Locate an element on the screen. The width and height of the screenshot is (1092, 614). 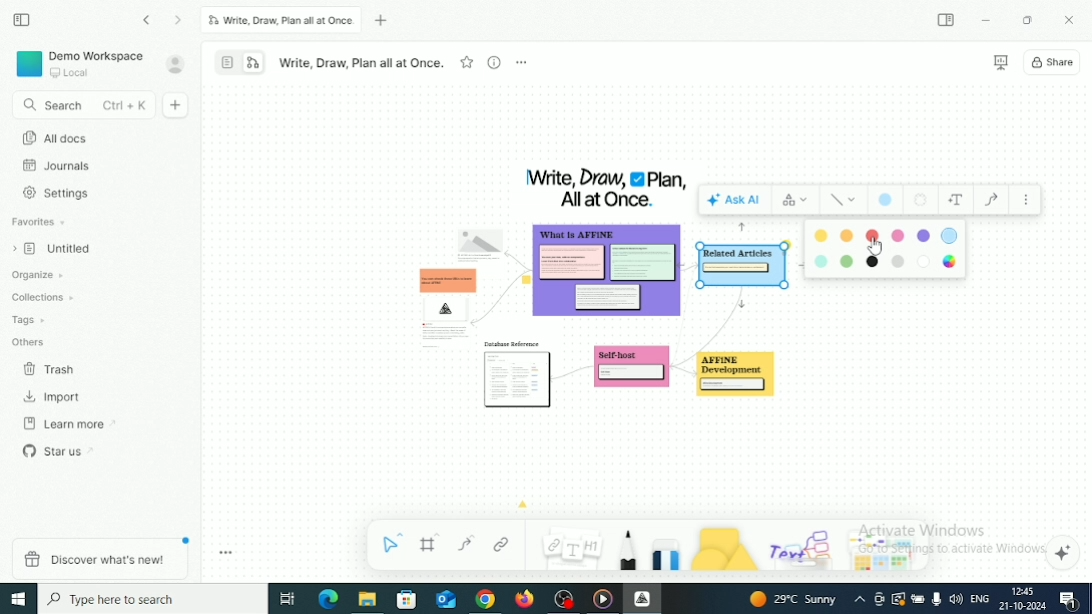
Favourite is located at coordinates (467, 61).